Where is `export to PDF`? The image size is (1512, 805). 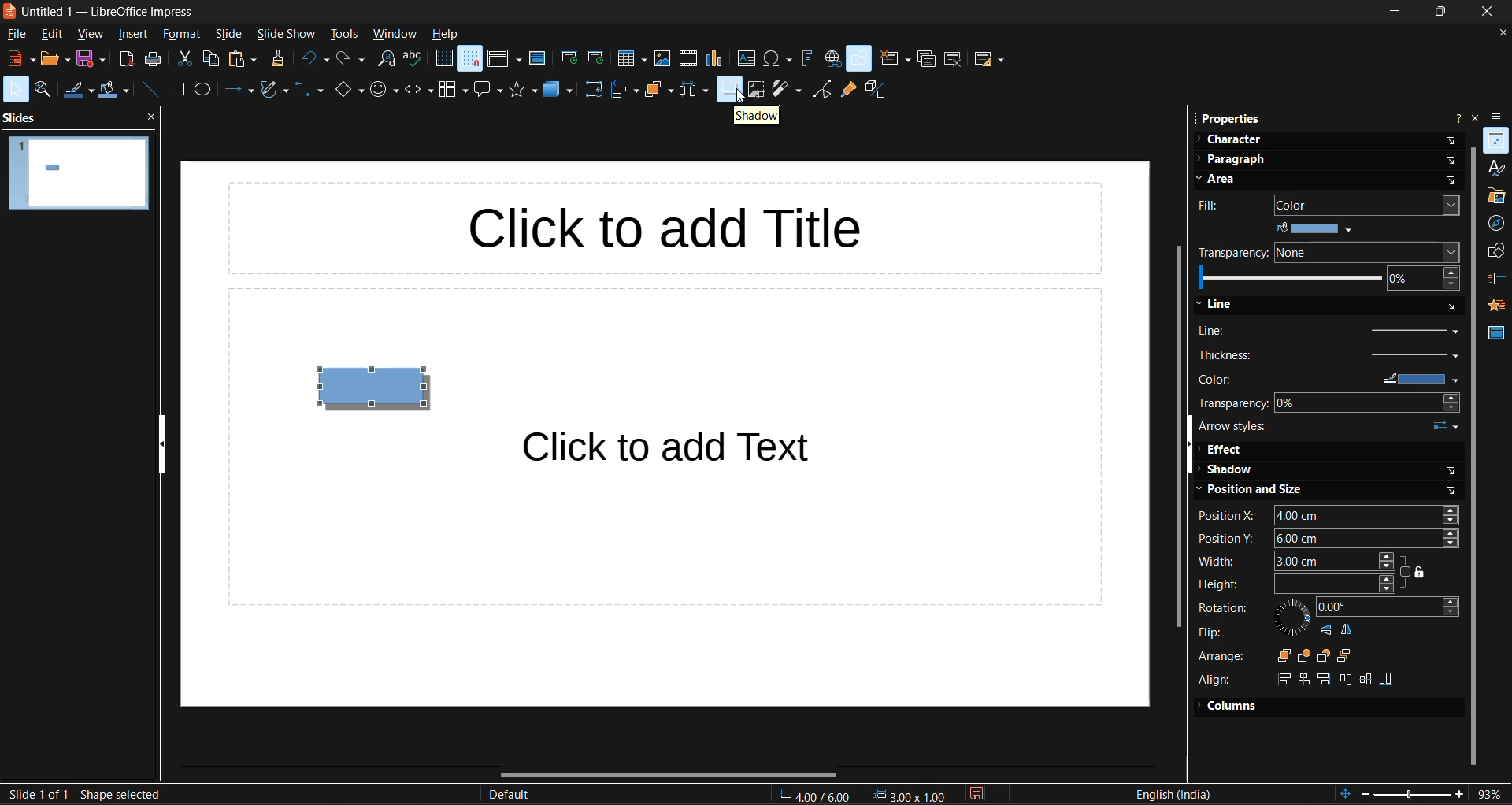 export to PDF is located at coordinates (127, 58).